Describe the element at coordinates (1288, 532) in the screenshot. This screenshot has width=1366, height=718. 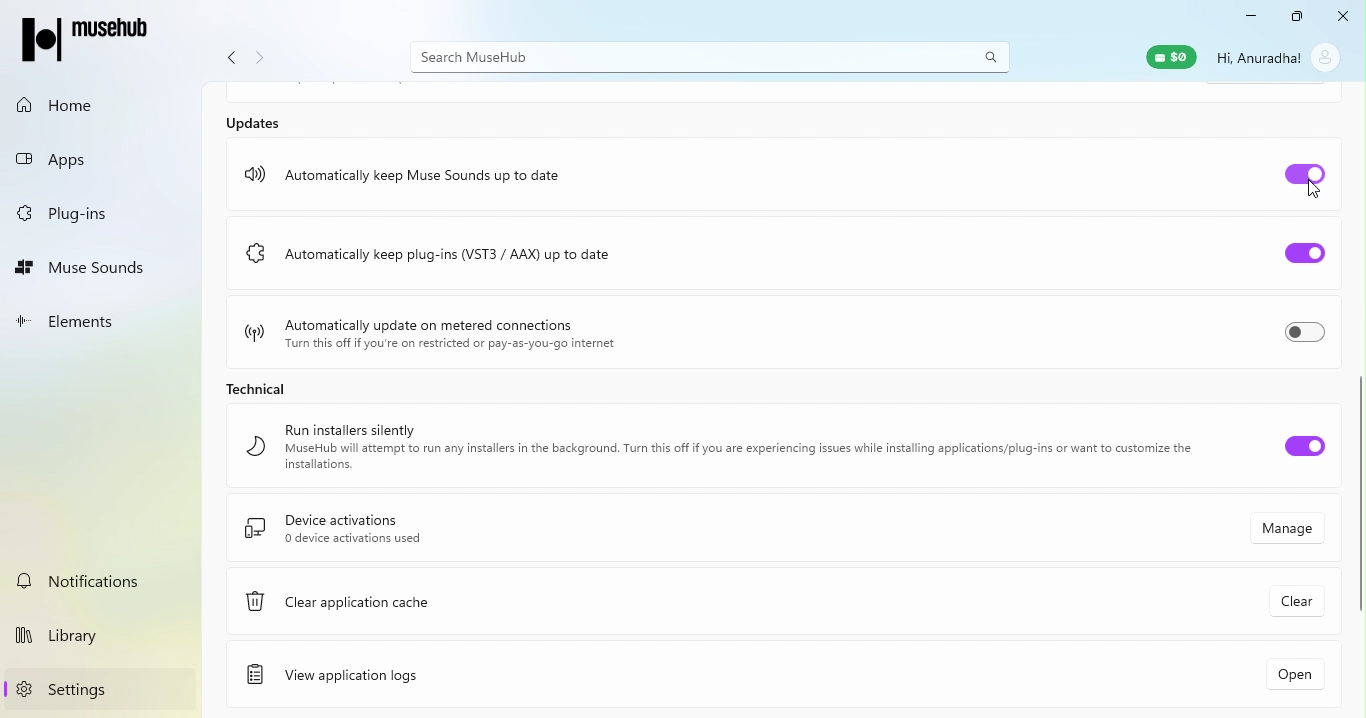
I see `Manage` at that location.